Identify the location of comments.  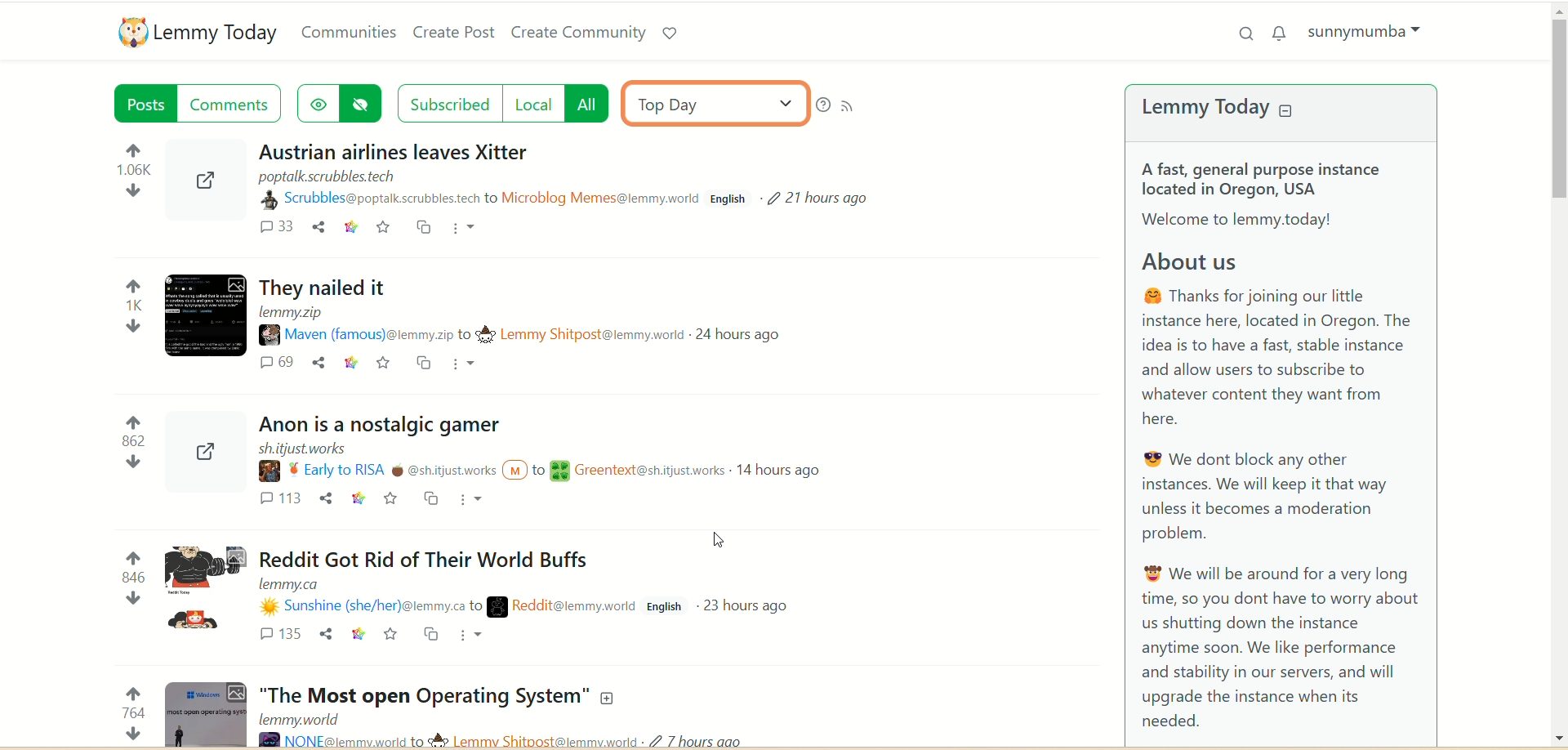
(234, 104).